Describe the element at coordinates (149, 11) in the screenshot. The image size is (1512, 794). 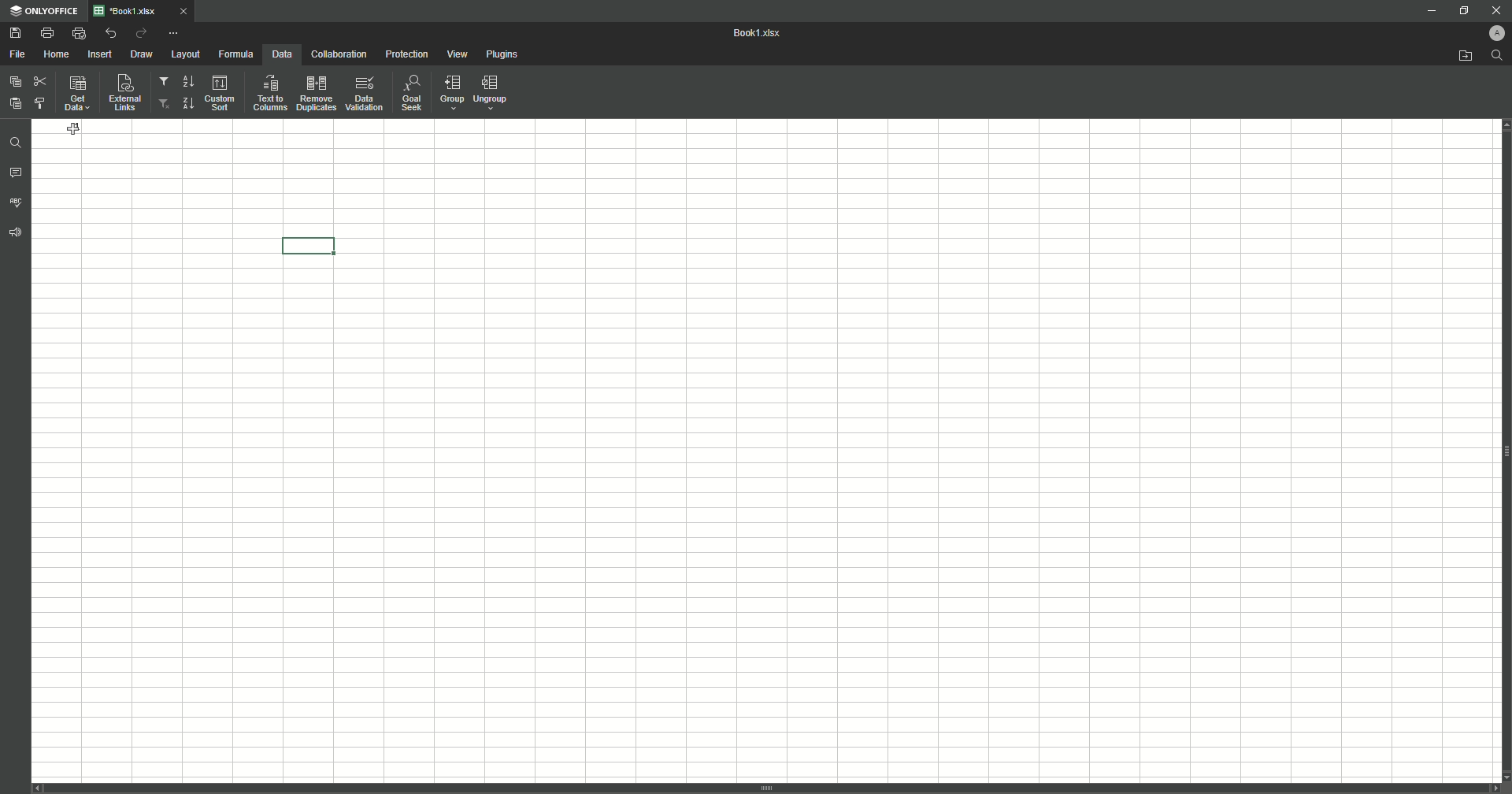
I see `Tab 1` at that location.